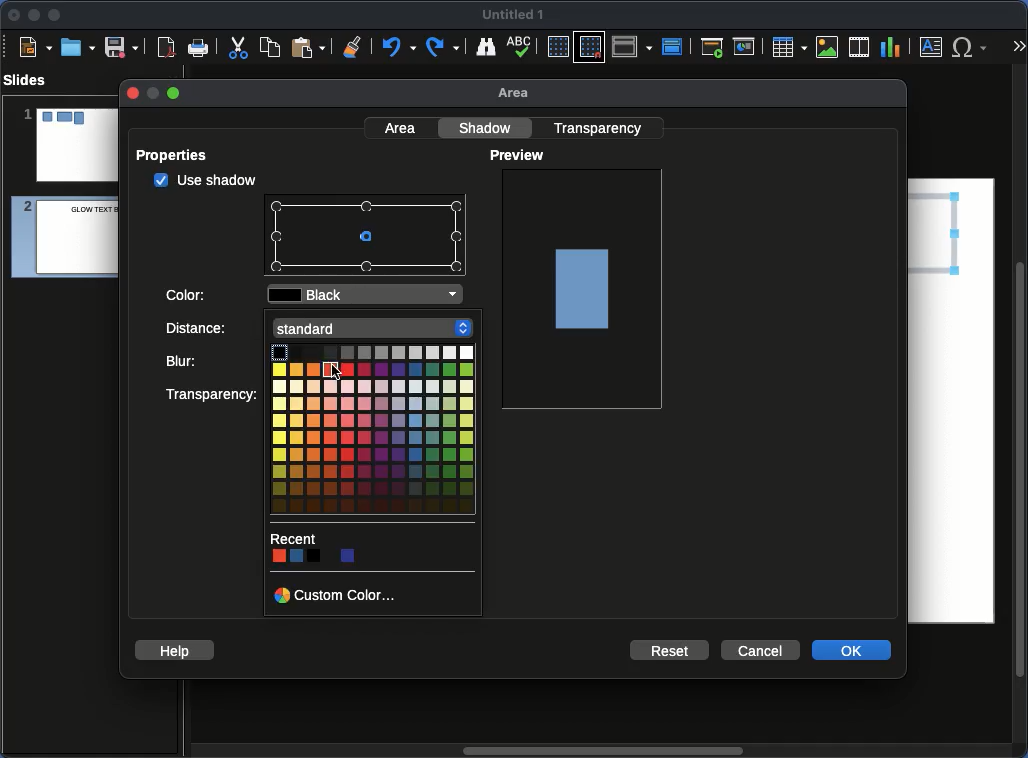 This screenshot has height=758, width=1028. What do you see at coordinates (199, 49) in the screenshot?
I see `Print` at bounding box center [199, 49].